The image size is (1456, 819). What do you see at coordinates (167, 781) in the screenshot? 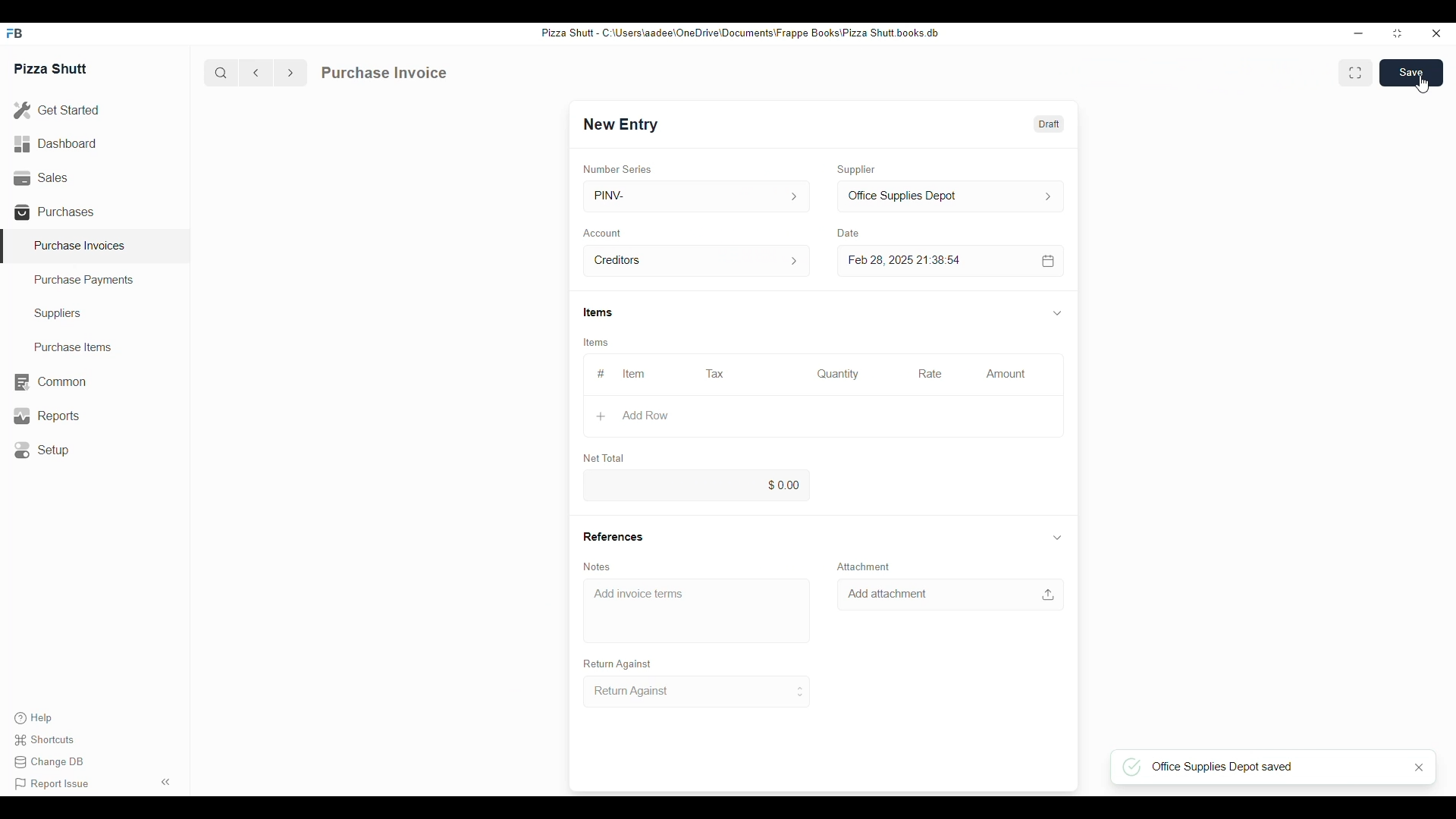
I see `<<` at bounding box center [167, 781].